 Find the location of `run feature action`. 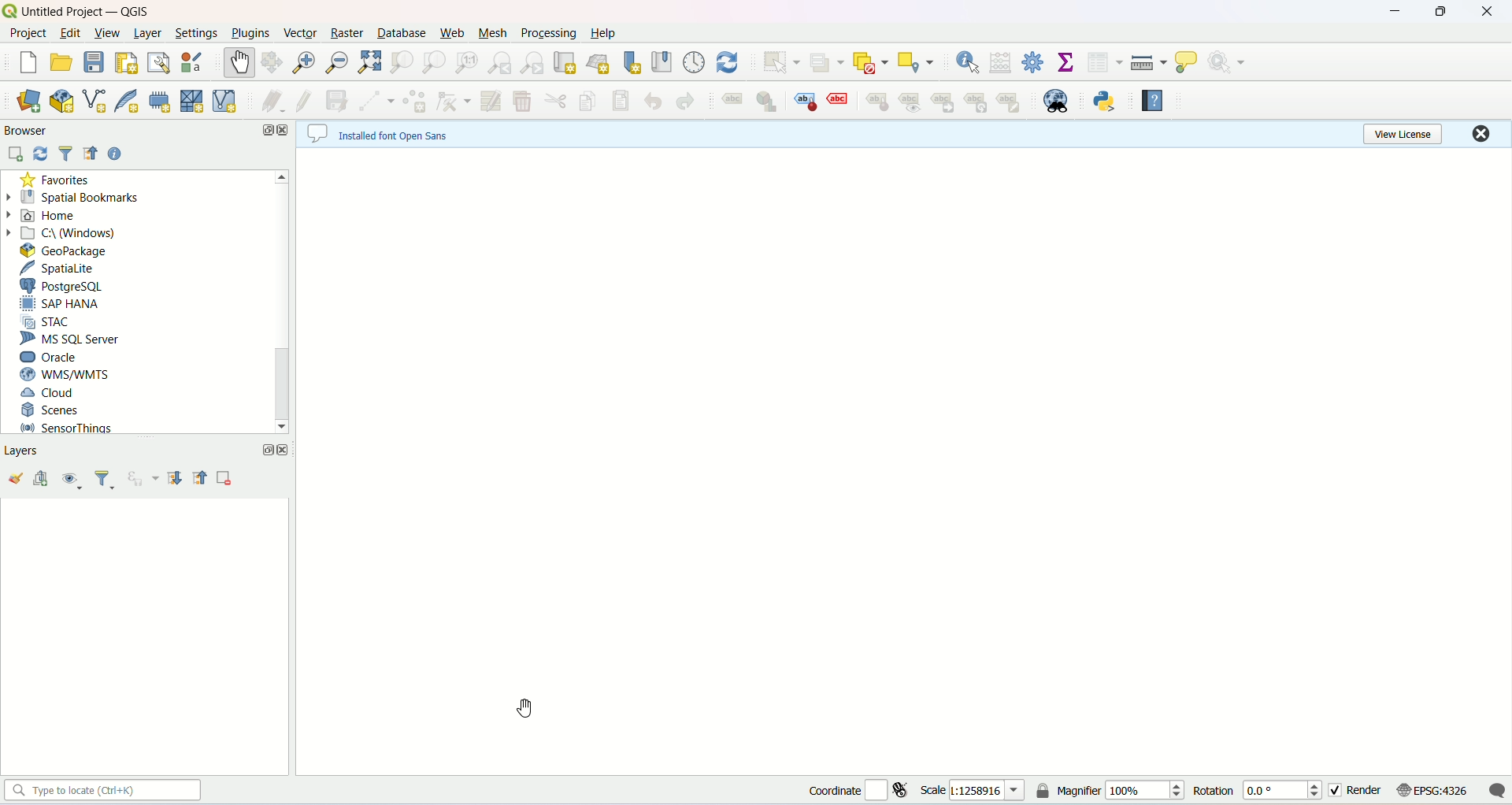

run feature action is located at coordinates (1226, 61).